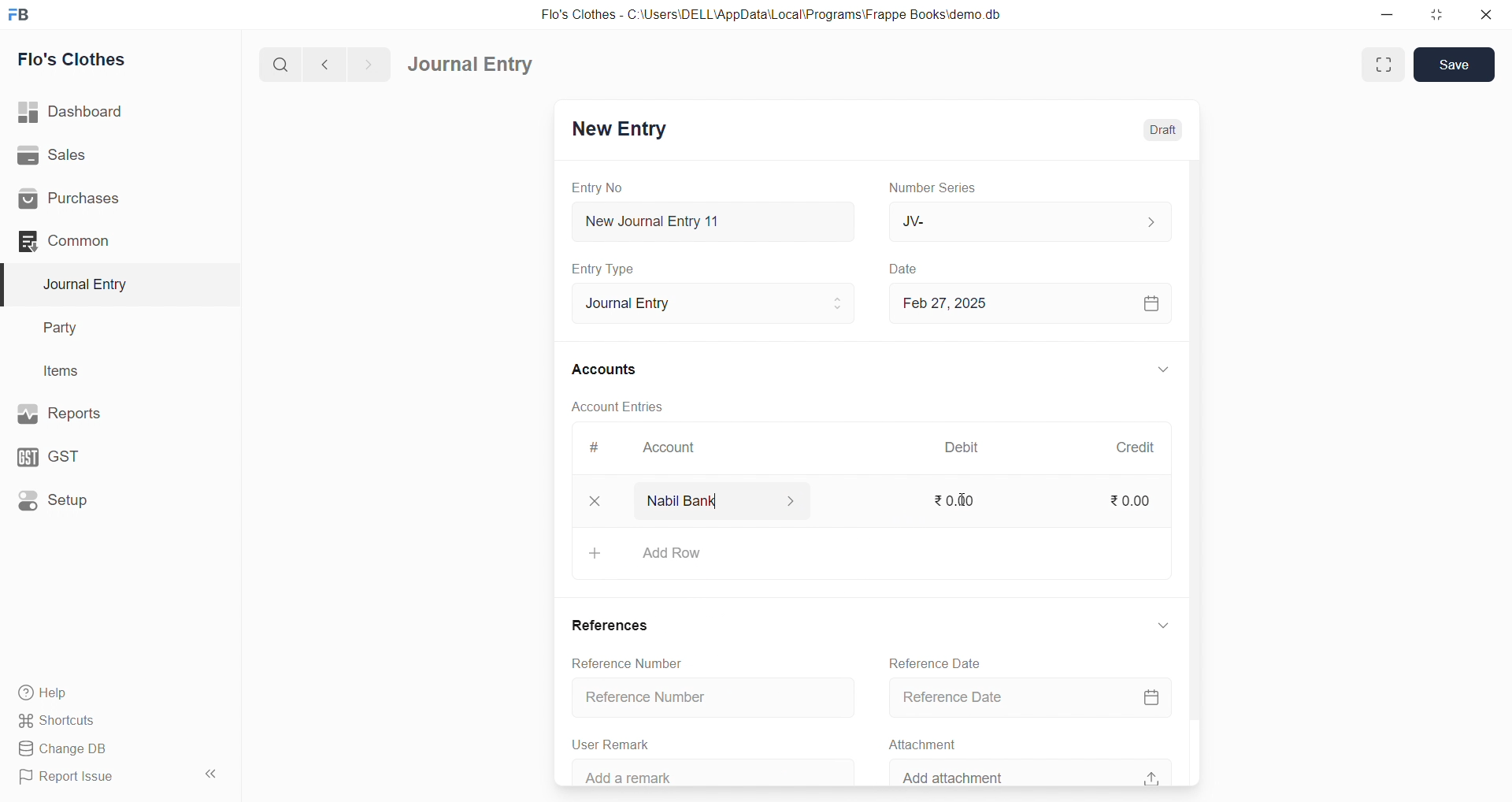 This screenshot has height=802, width=1512. Describe the element at coordinates (1192, 472) in the screenshot. I see `VERTICAL SCROLL BAR` at that location.